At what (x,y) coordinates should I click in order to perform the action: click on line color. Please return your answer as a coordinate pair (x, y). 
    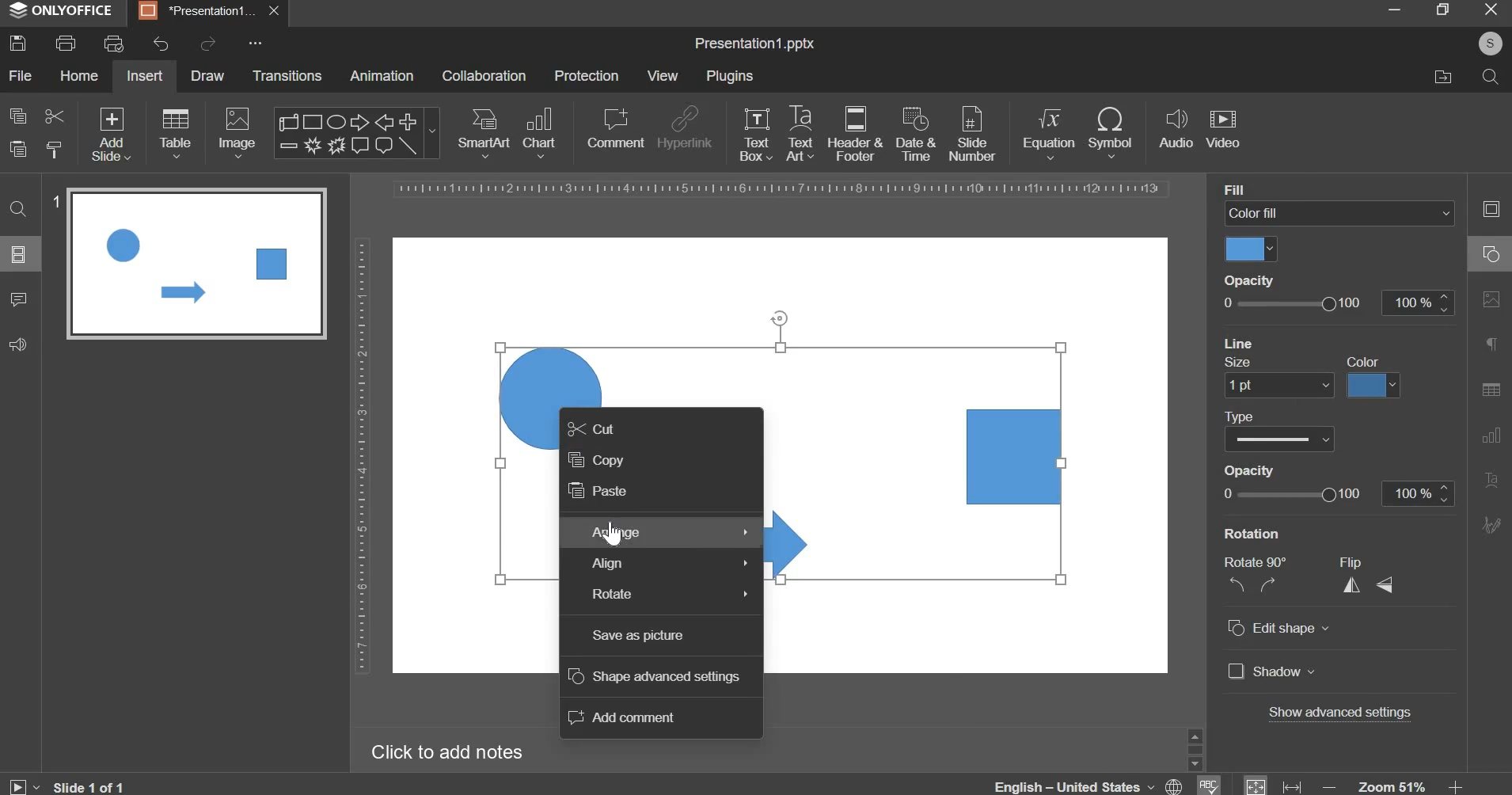
    Looking at the image, I should click on (1373, 384).